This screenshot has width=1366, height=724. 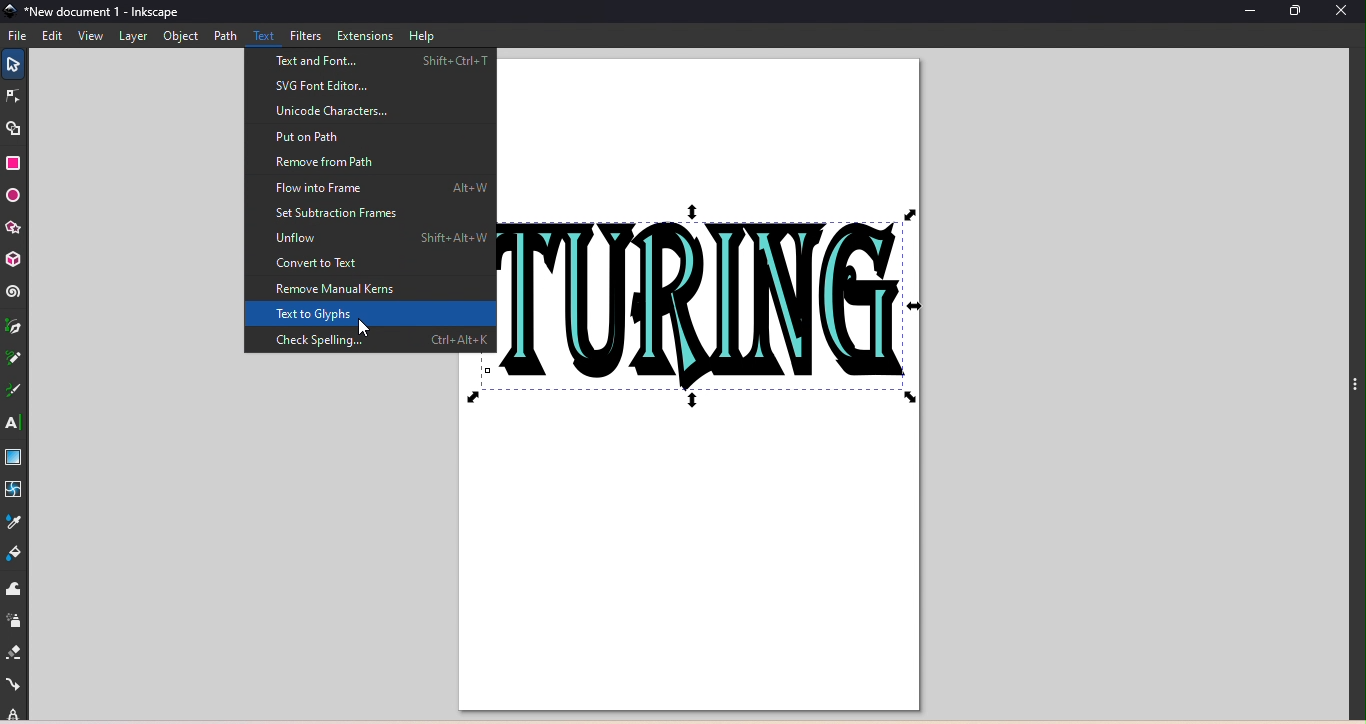 I want to click on Text, so click(x=265, y=36).